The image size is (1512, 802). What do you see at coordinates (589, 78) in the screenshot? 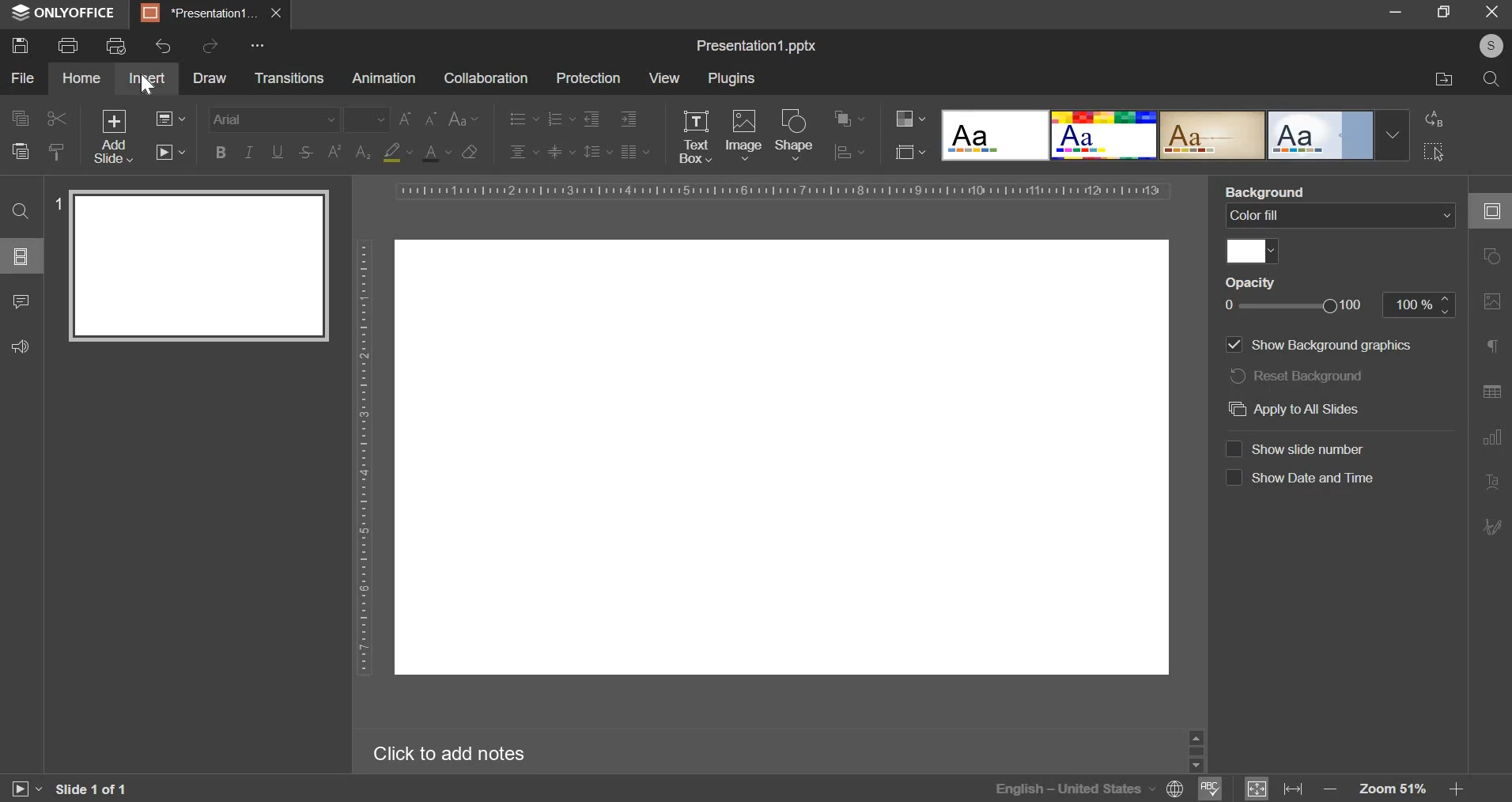
I see `protection` at bounding box center [589, 78].